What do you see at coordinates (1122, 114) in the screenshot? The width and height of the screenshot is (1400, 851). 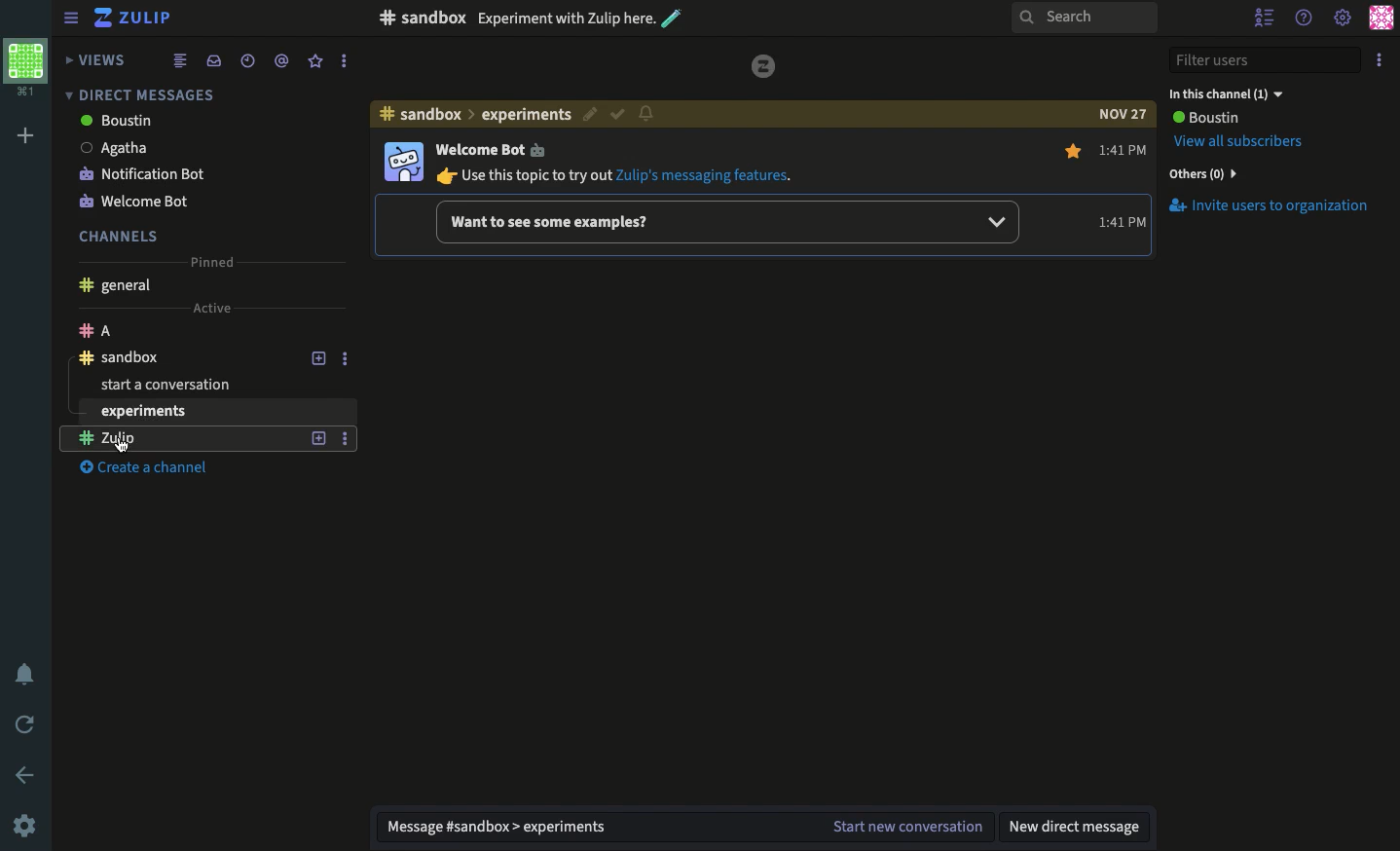 I see `date` at bounding box center [1122, 114].